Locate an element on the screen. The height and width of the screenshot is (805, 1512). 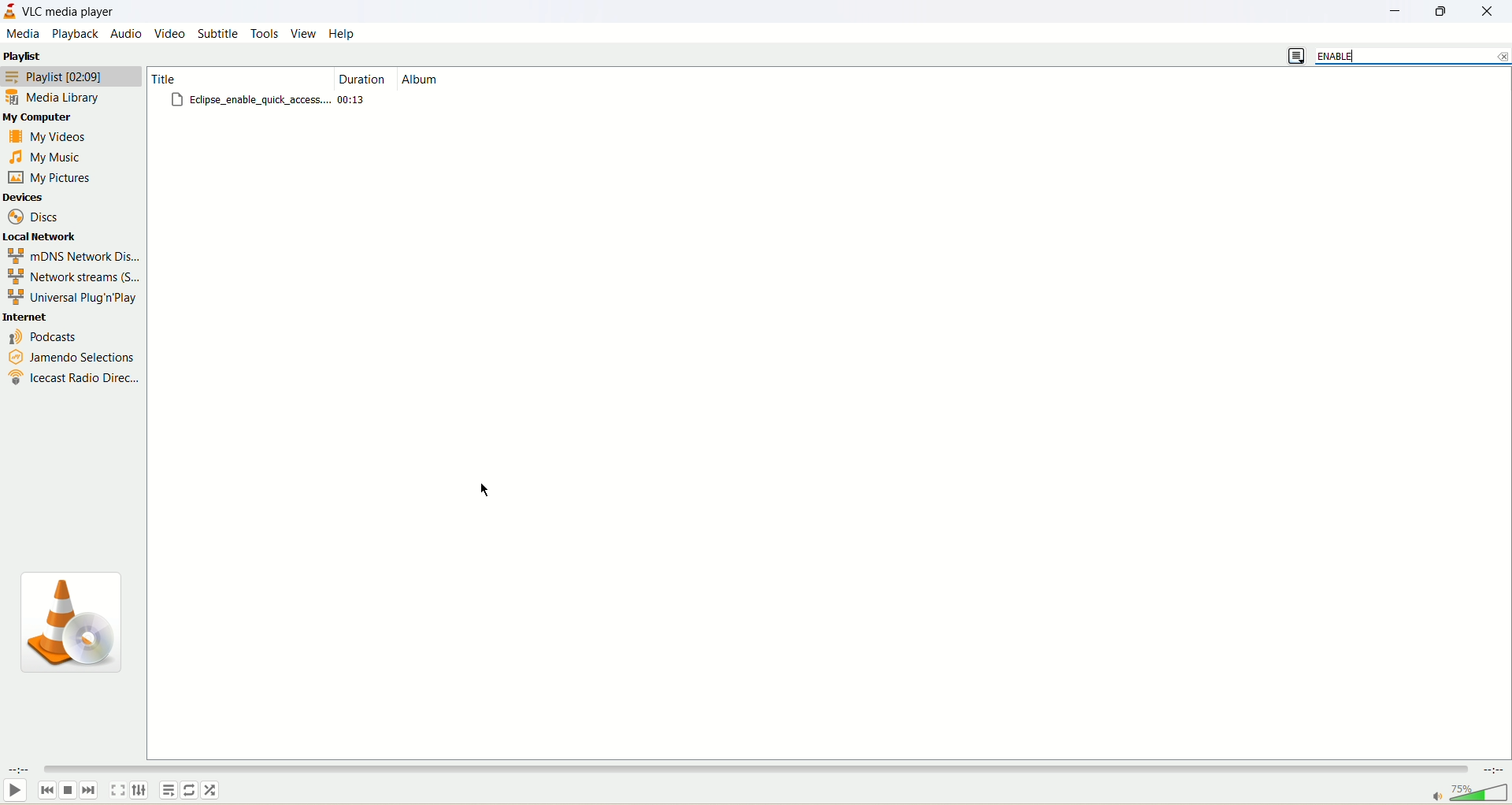
playback is located at coordinates (74, 34).